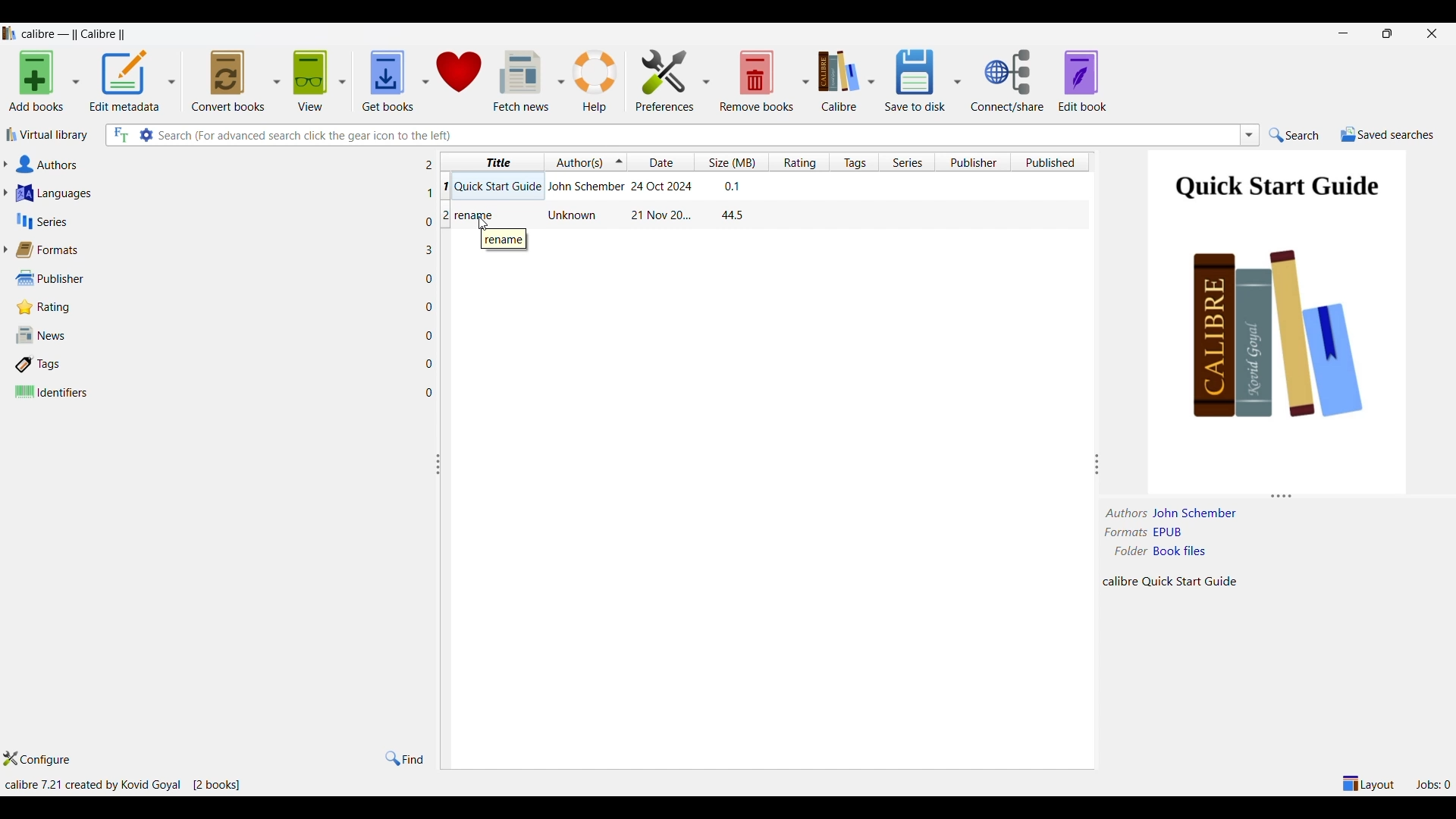  I want to click on Expand languages, so click(5, 193).